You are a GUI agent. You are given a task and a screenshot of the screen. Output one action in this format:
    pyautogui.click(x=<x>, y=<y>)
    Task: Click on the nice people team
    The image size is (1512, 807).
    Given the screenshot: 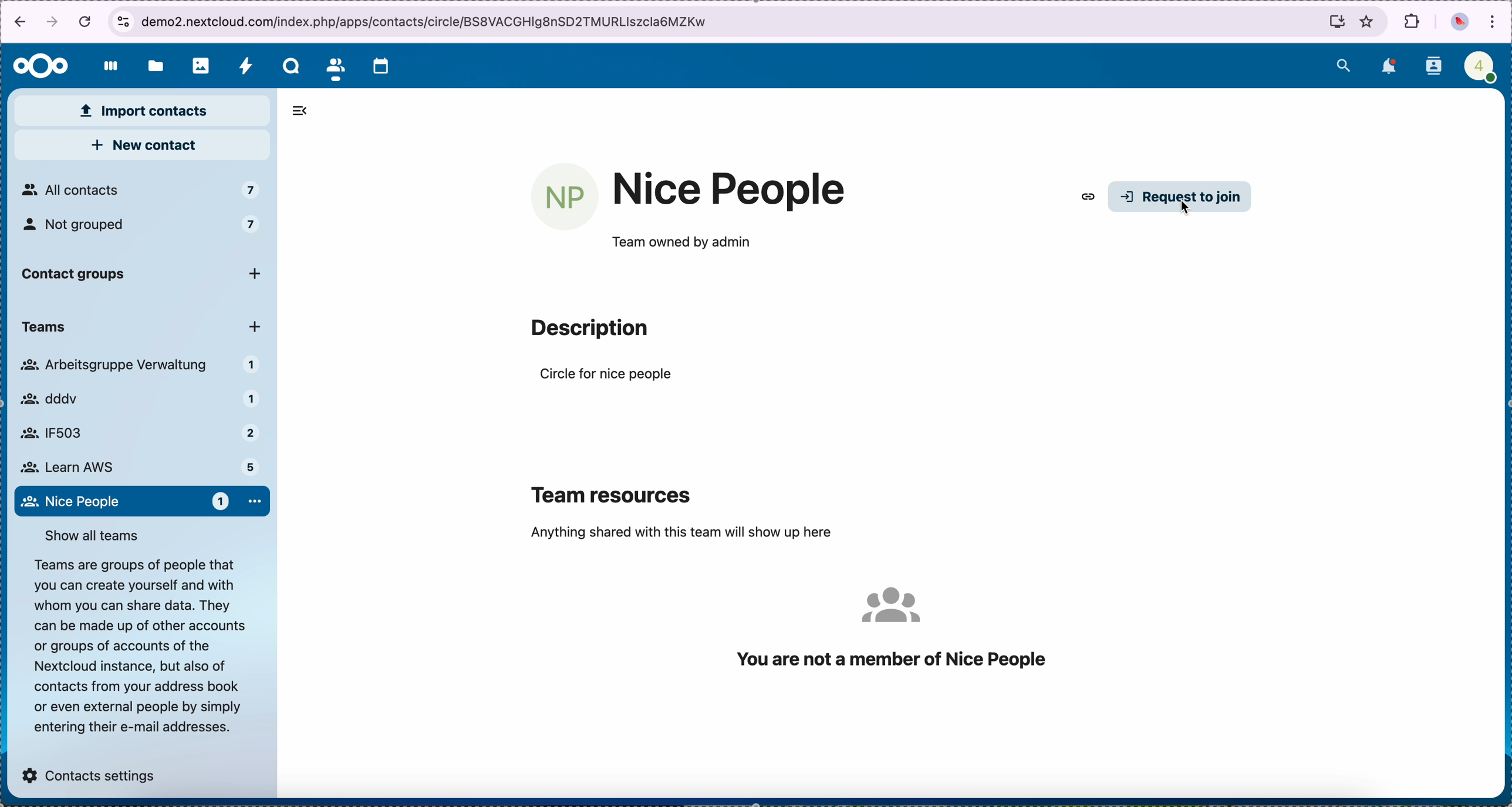 What is the action you would take?
    pyautogui.click(x=730, y=190)
    